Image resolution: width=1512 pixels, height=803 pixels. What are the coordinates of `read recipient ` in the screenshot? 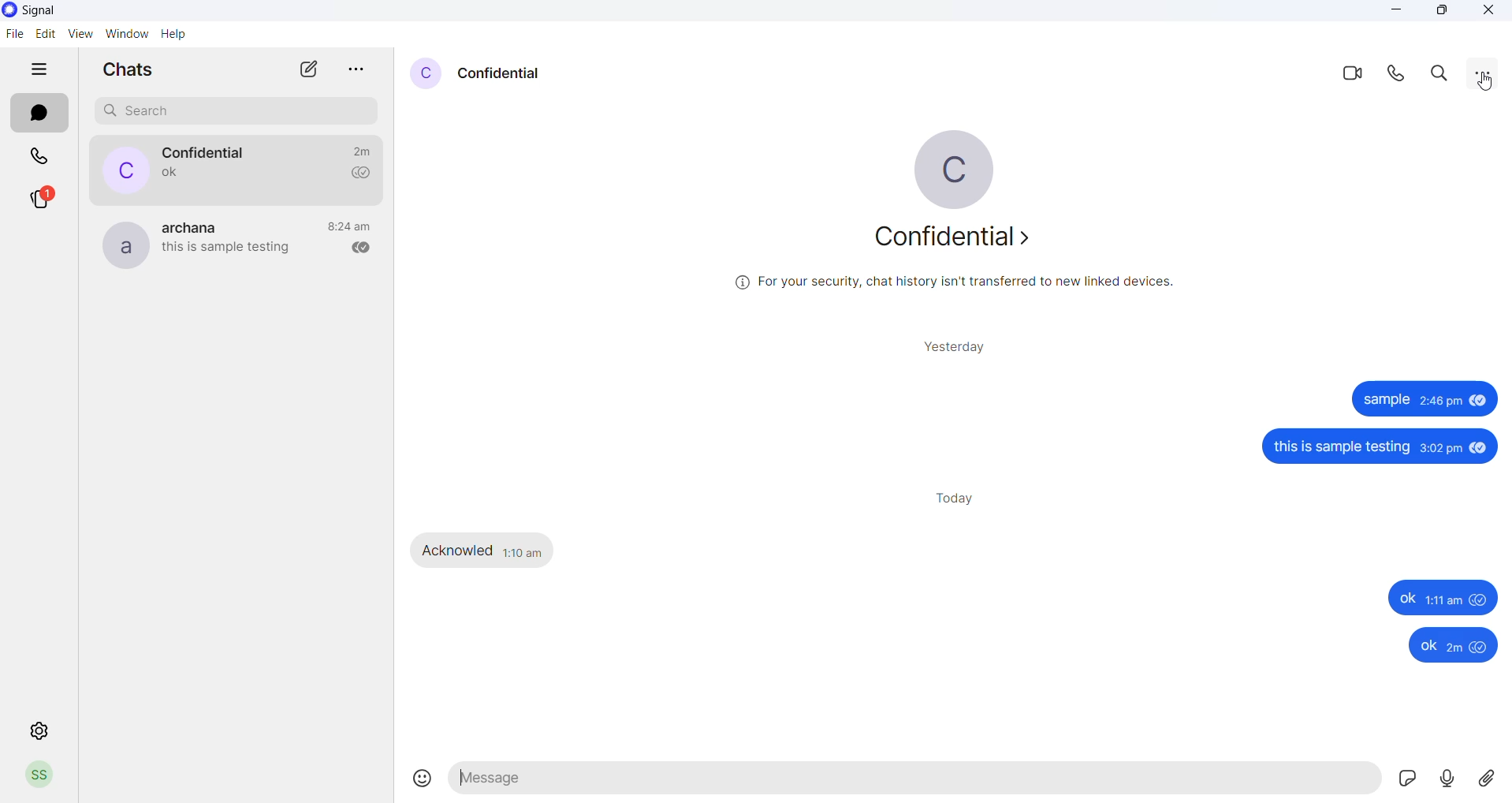 It's located at (356, 248).